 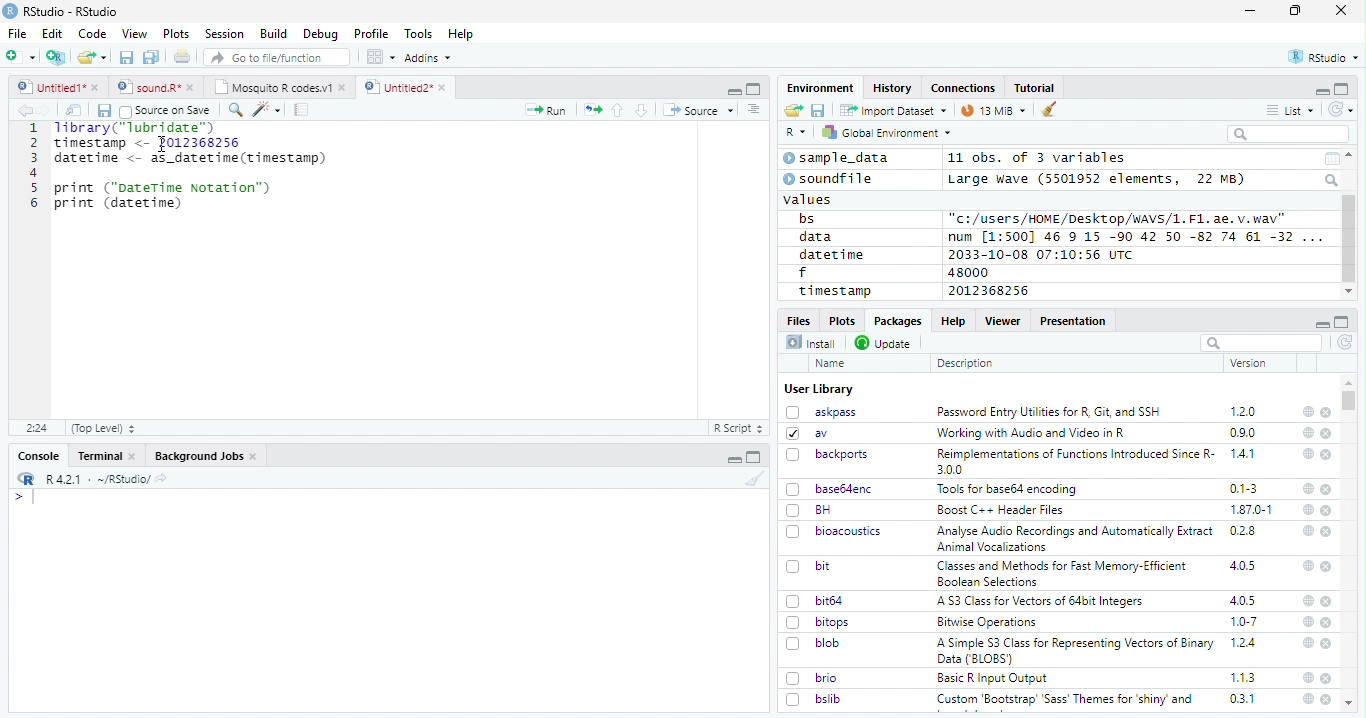 What do you see at coordinates (22, 57) in the screenshot?
I see `New file` at bounding box center [22, 57].